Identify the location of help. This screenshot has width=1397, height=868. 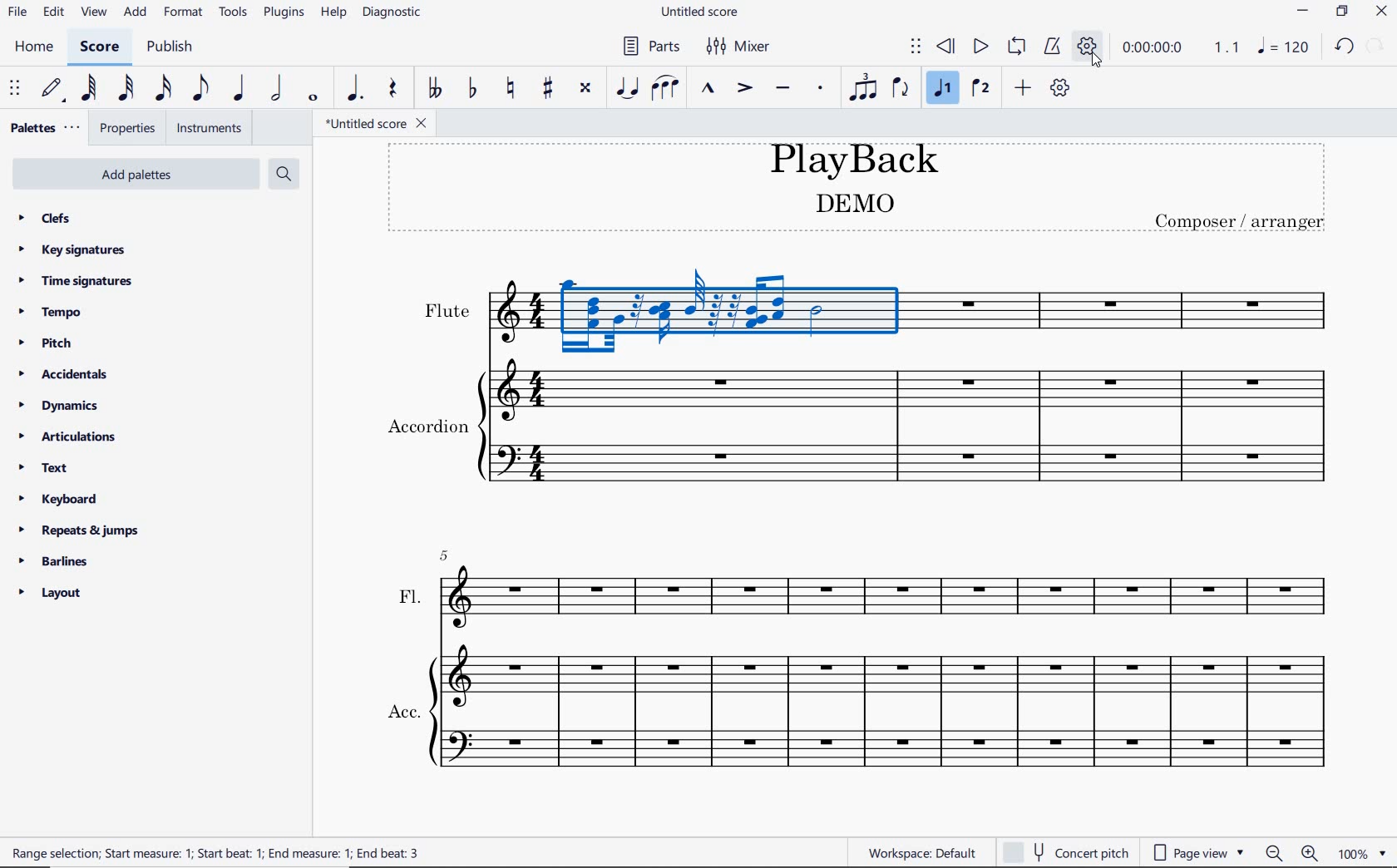
(333, 13).